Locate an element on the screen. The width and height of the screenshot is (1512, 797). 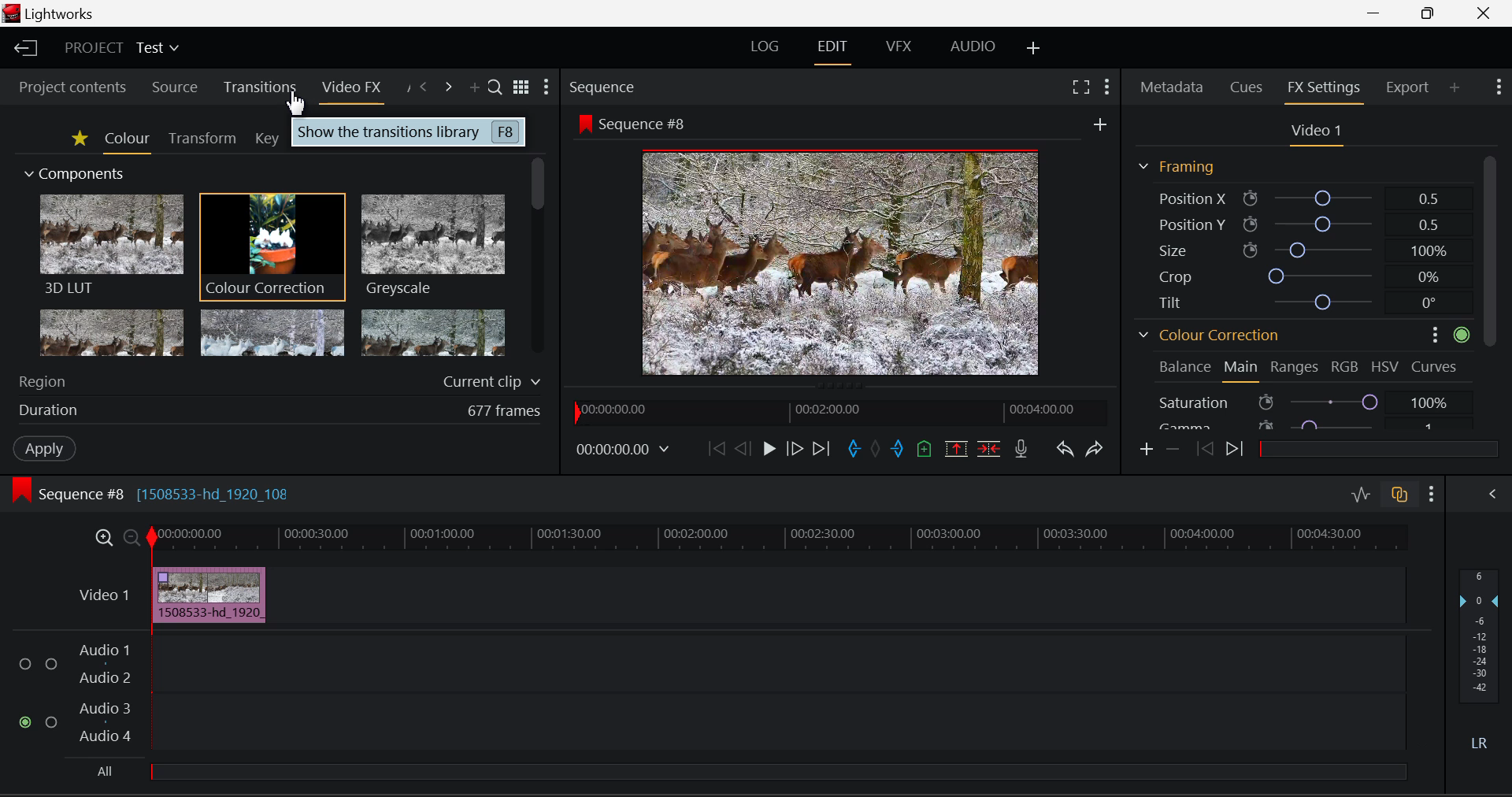
Posterize is located at coordinates (431, 332).